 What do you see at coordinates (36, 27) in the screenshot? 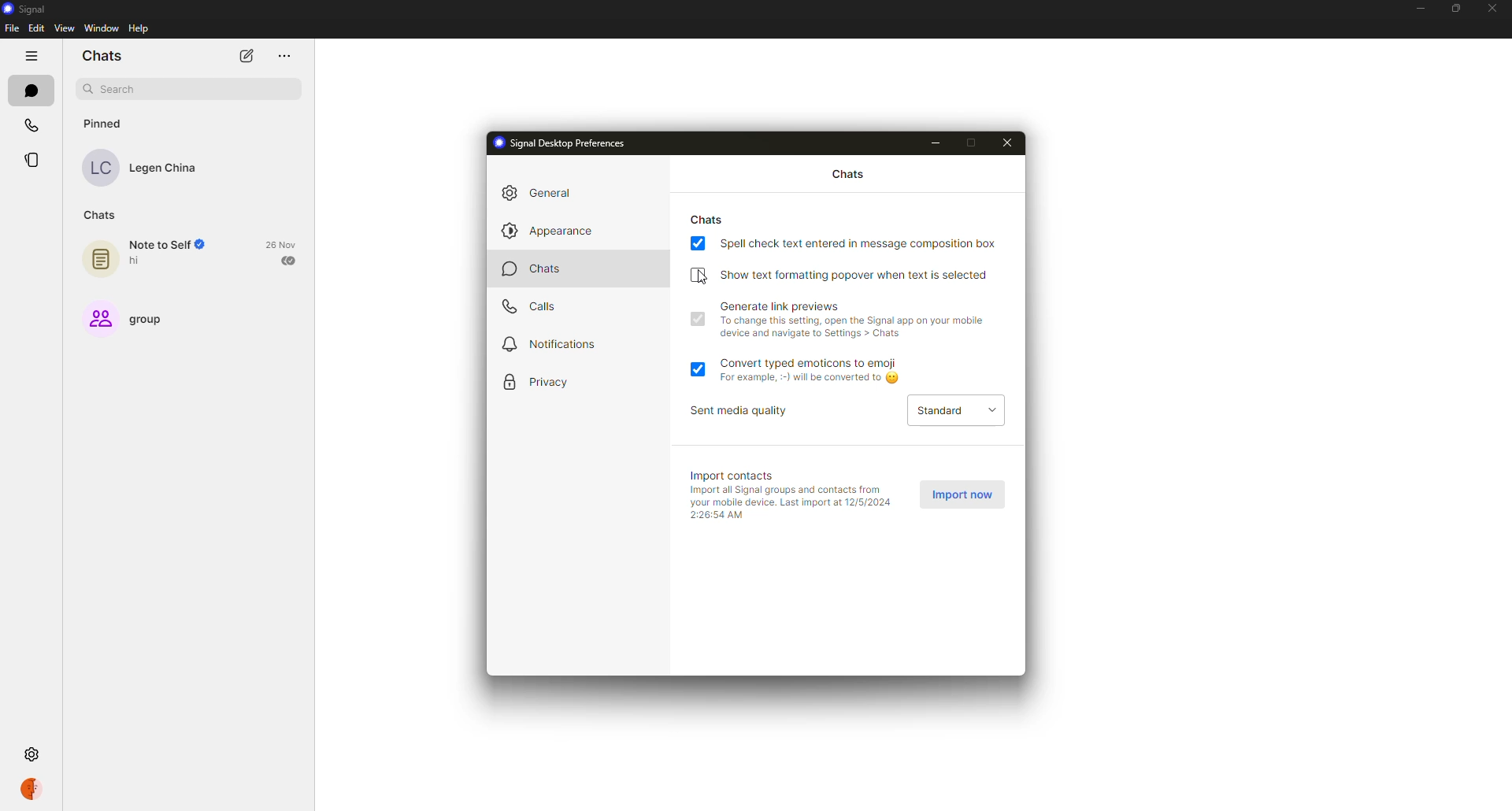
I see `edit` at bounding box center [36, 27].